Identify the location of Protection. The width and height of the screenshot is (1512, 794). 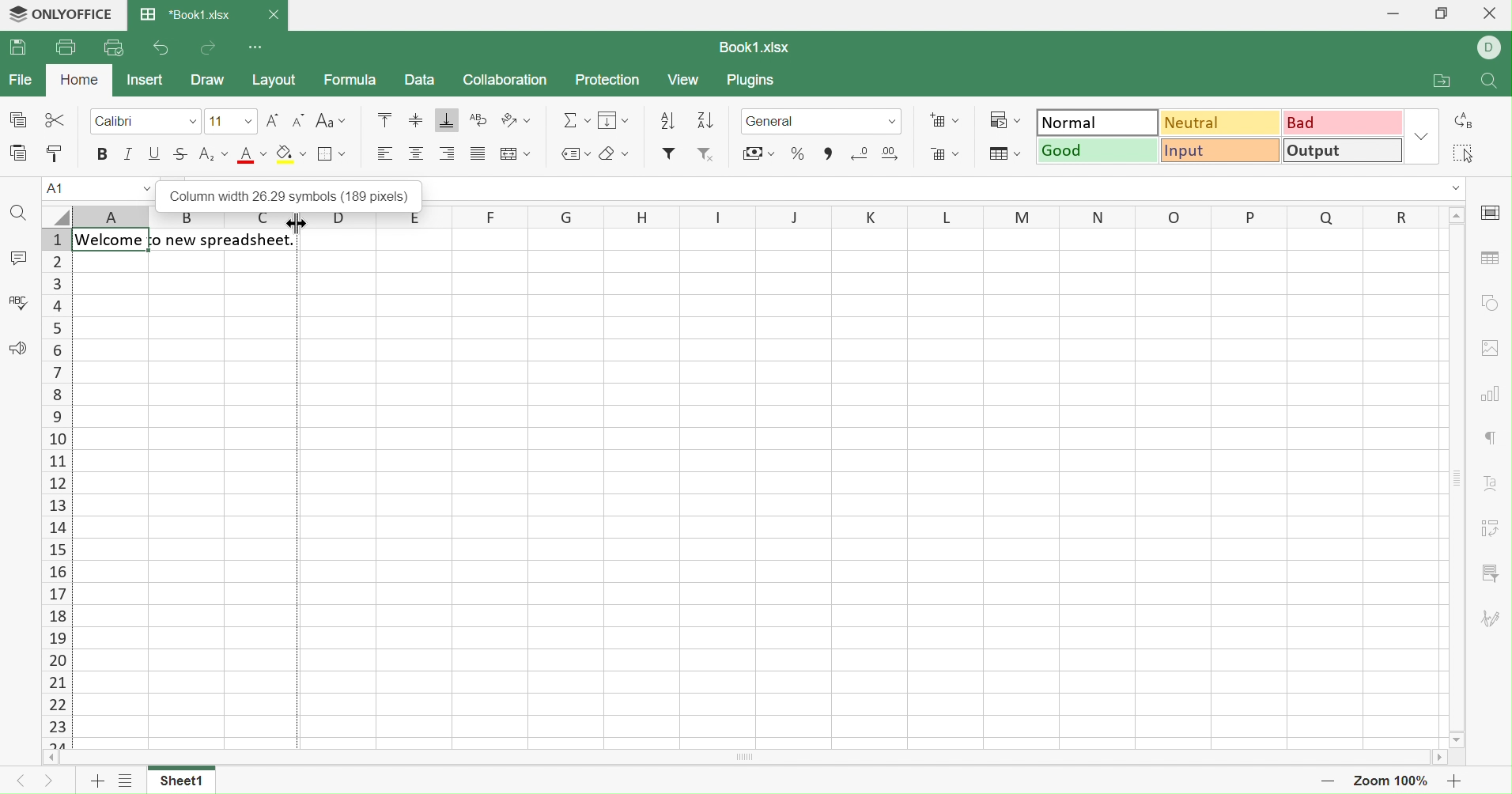
(609, 80).